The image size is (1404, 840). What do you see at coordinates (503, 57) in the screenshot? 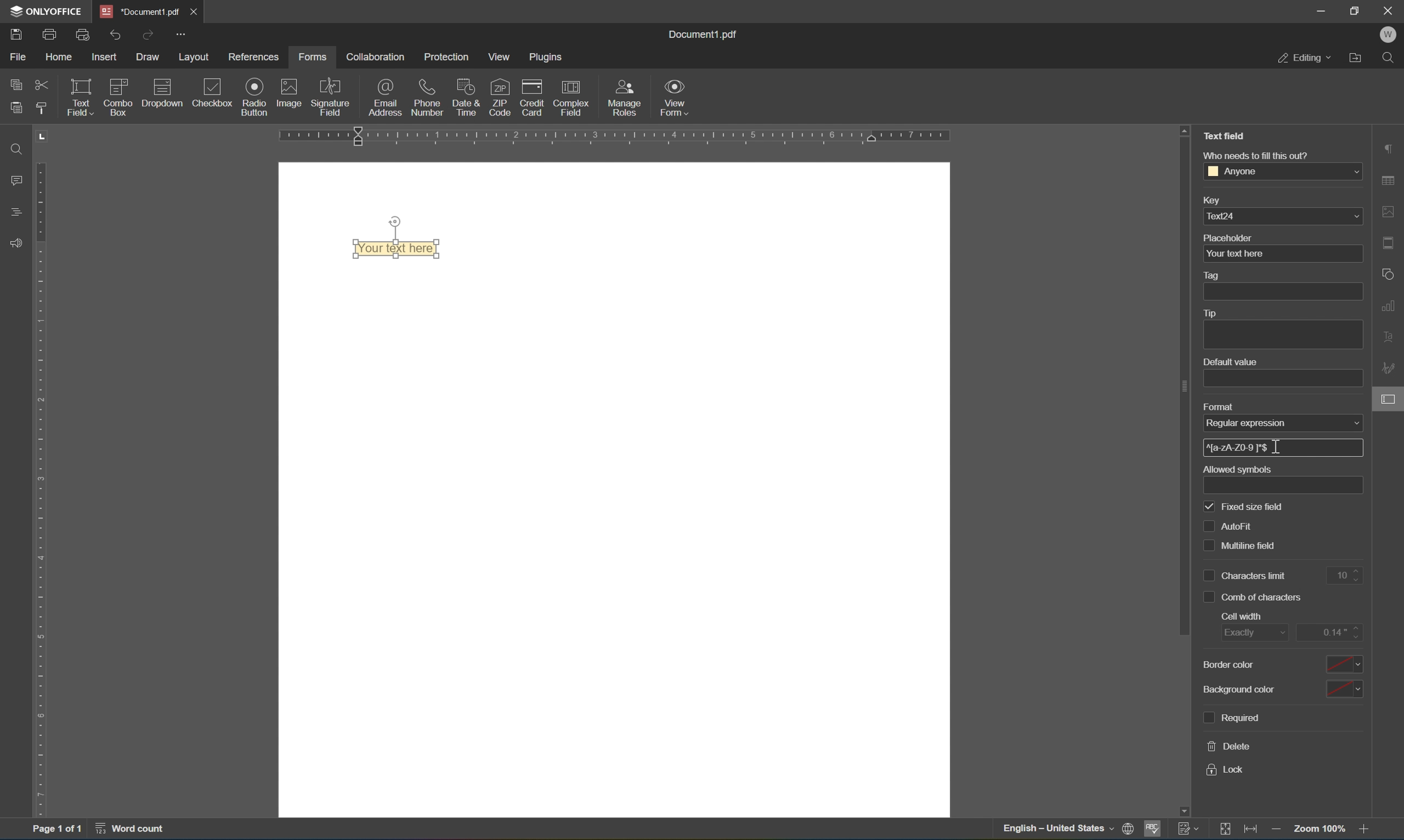
I see `view` at bounding box center [503, 57].